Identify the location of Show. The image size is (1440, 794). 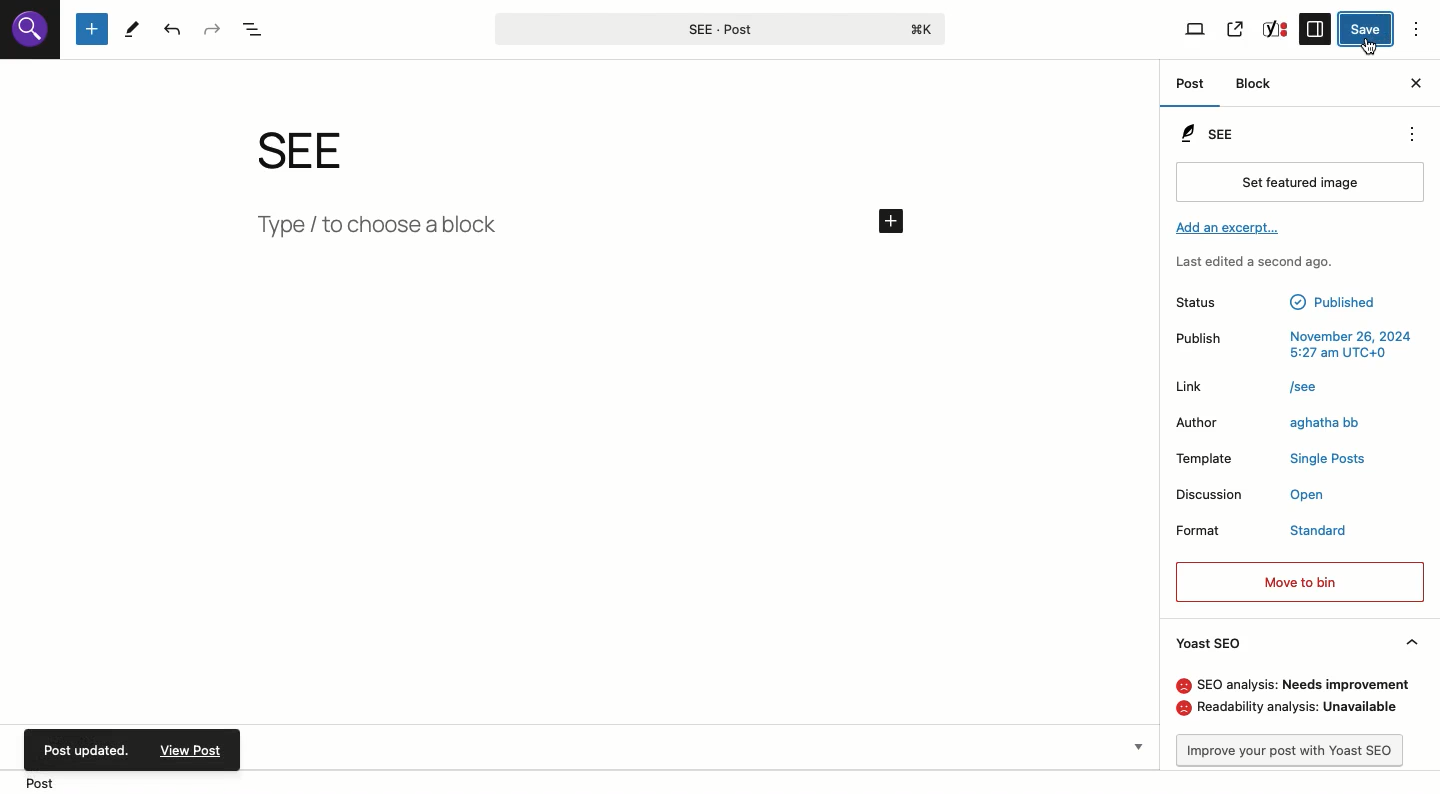
(1137, 743).